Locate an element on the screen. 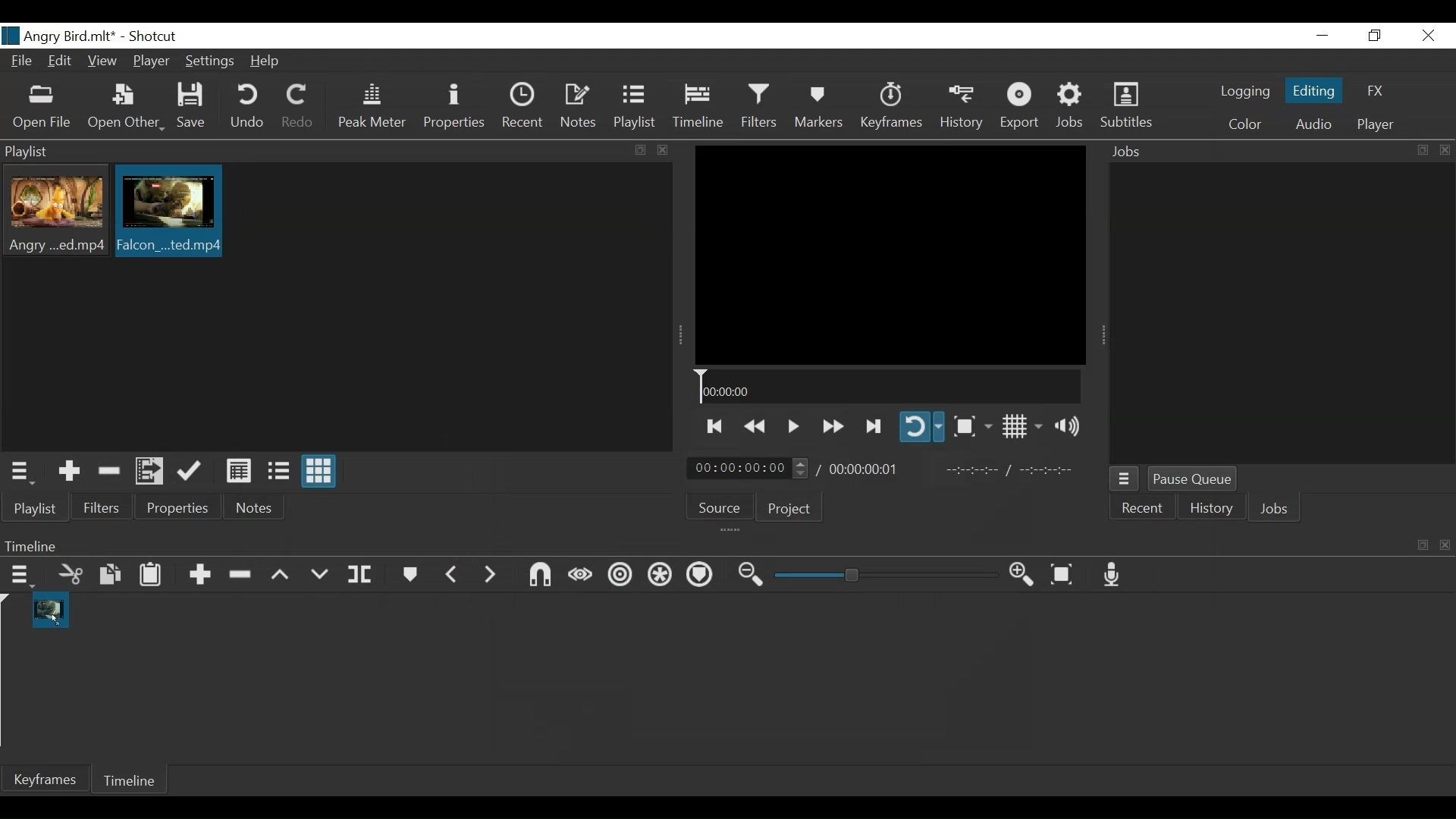  Keyframe is located at coordinates (45, 780).